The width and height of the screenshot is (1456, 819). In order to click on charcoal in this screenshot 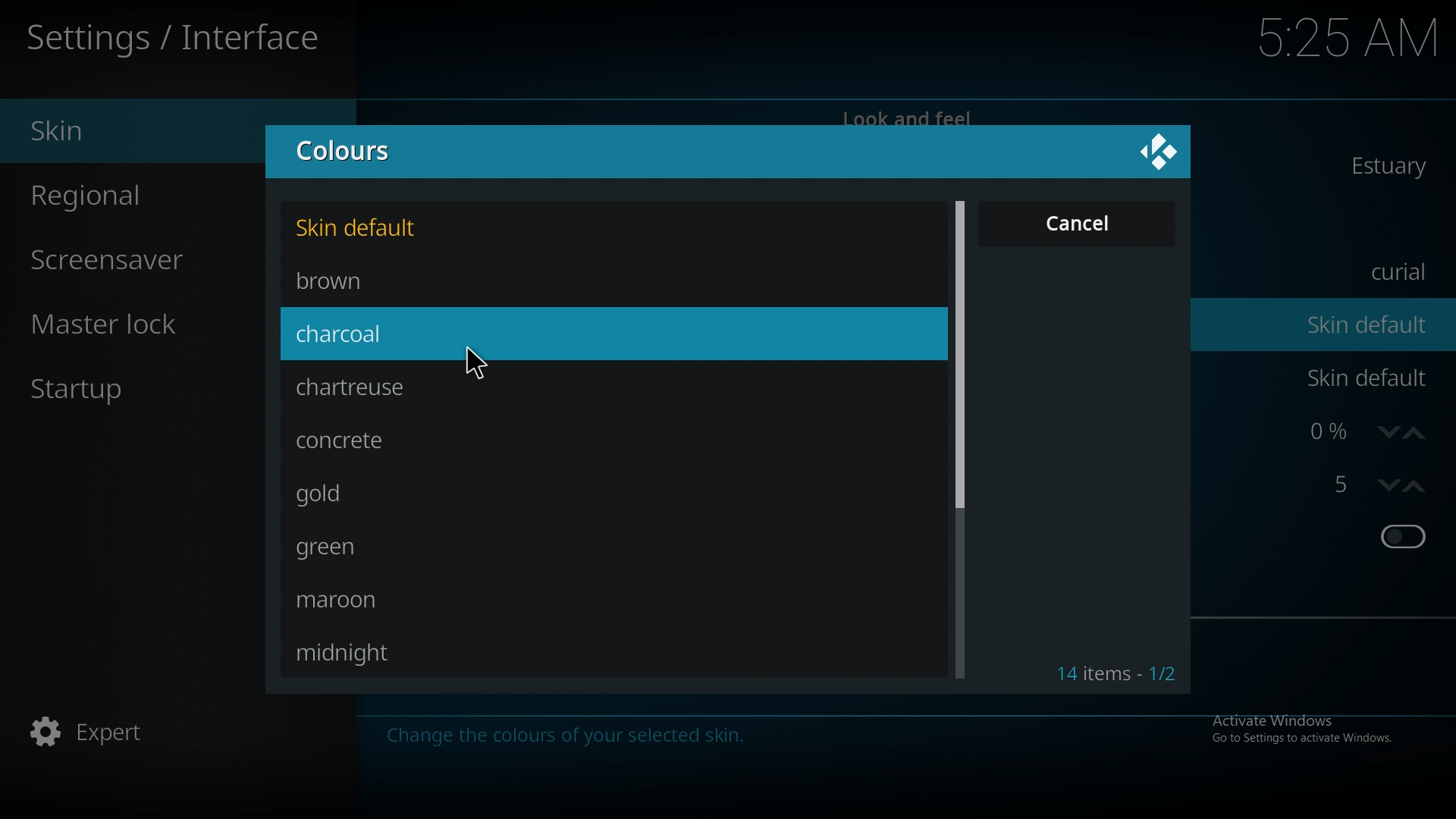, I will do `click(366, 335)`.